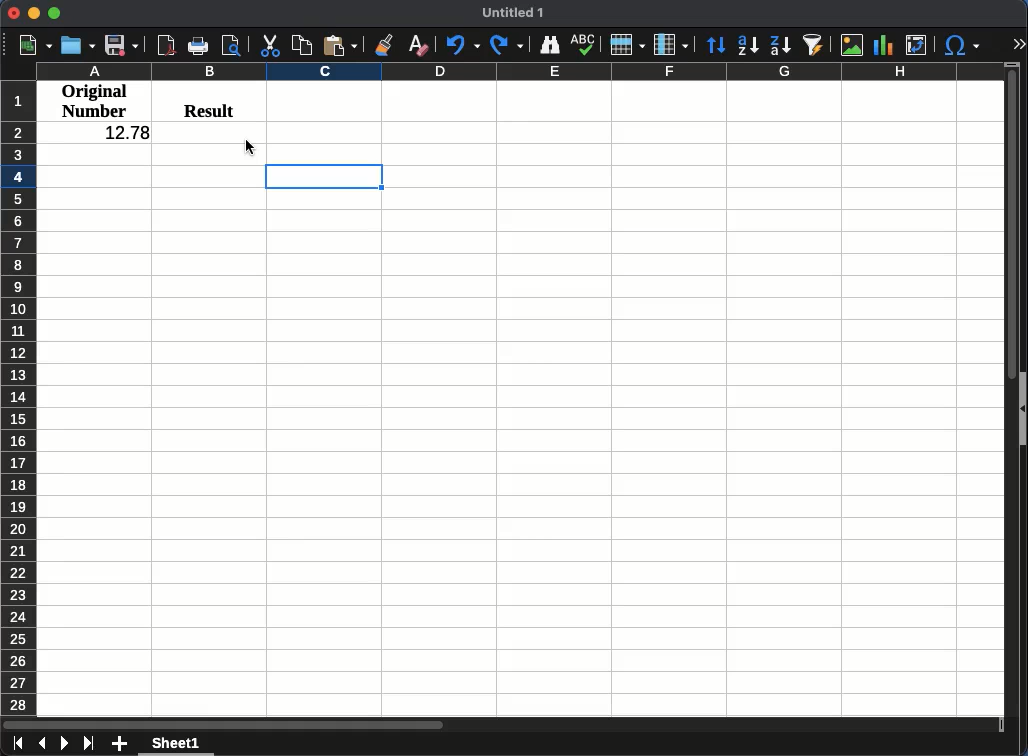  I want to click on Redo, so click(507, 46).